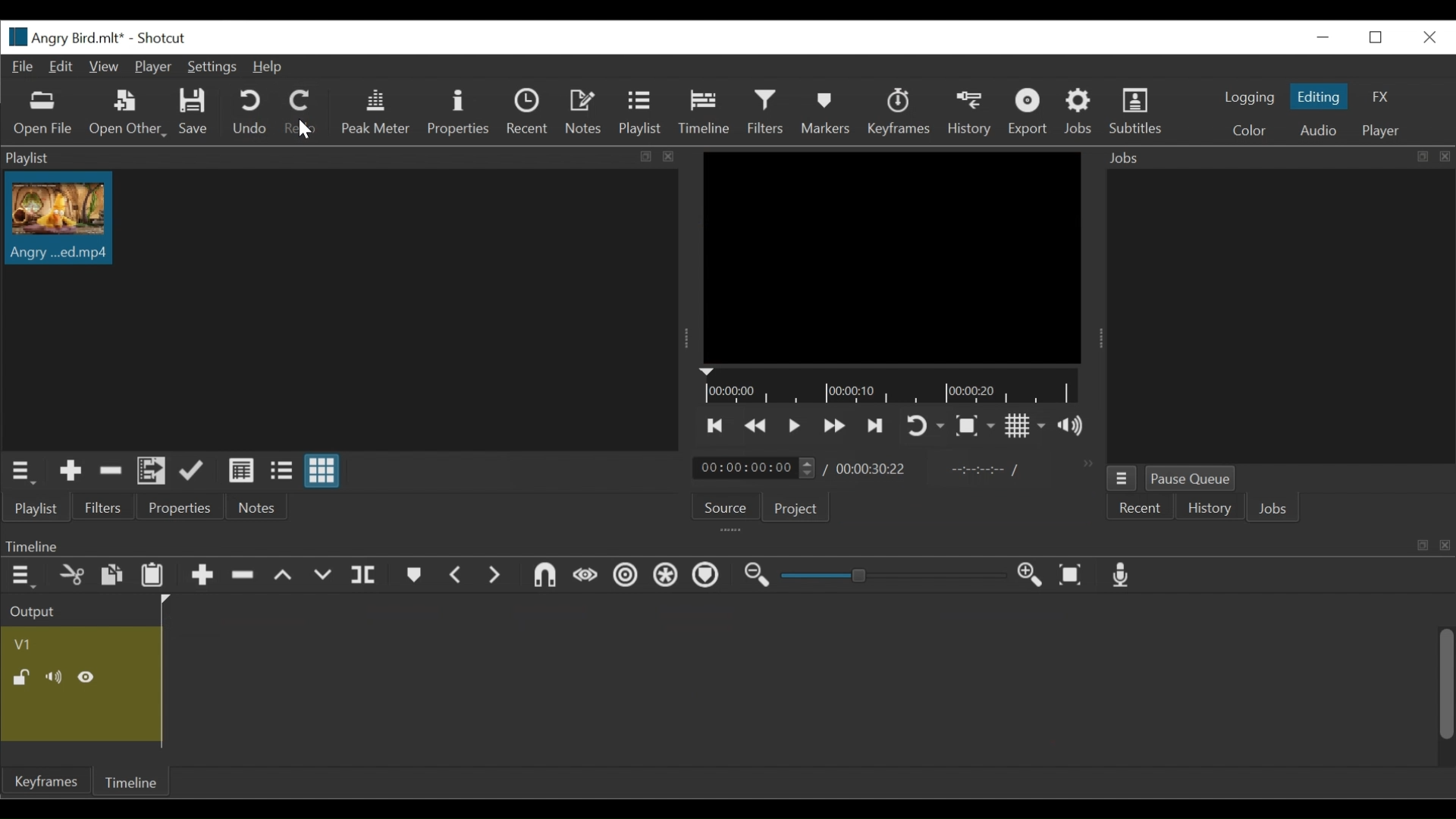 The width and height of the screenshot is (1456, 819). Describe the element at coordinates (708, 576) in the screenshot. I see `Ripple markers` at that location.